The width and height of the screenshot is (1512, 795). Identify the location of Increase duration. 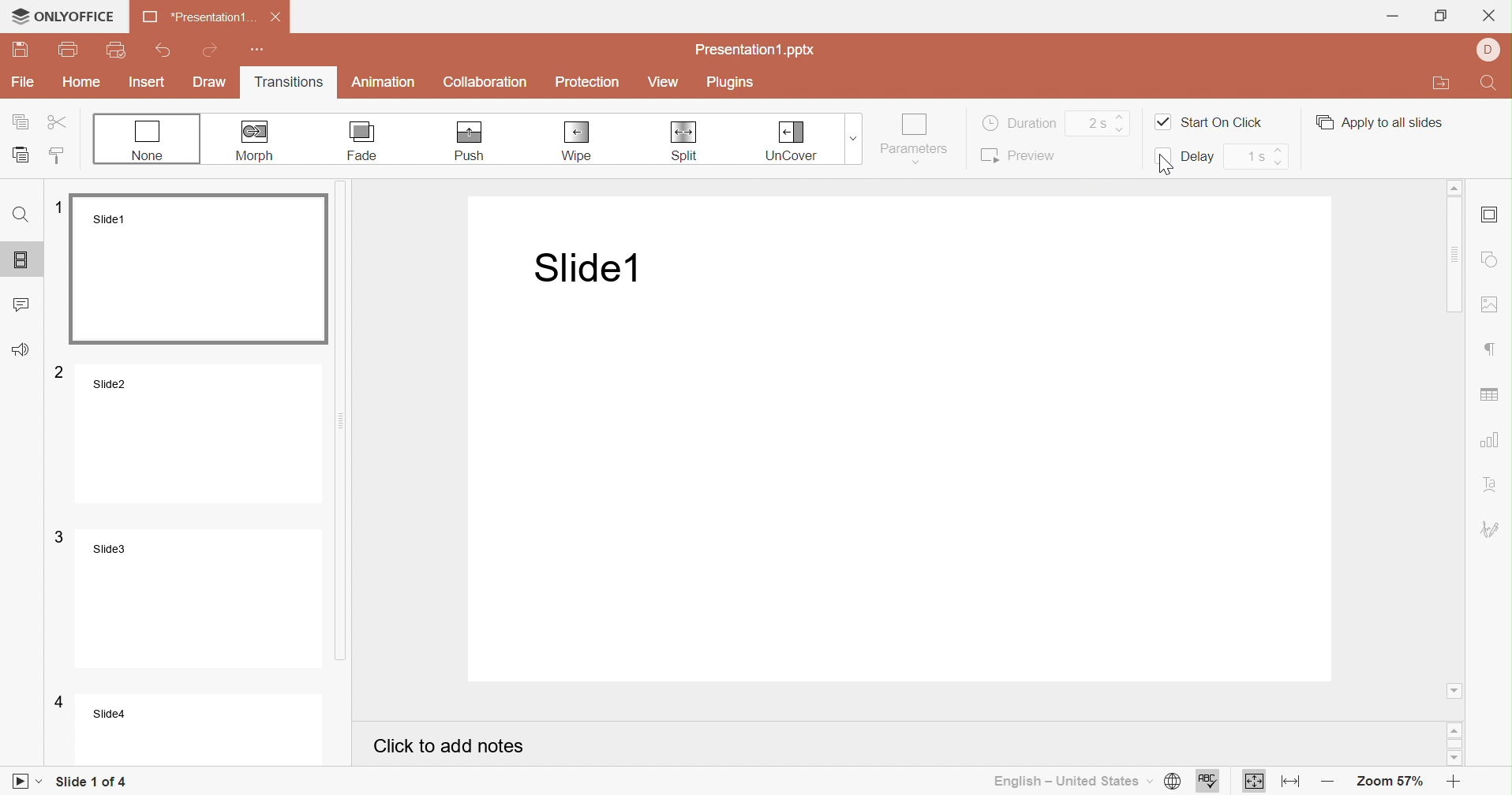
(1121, 113).